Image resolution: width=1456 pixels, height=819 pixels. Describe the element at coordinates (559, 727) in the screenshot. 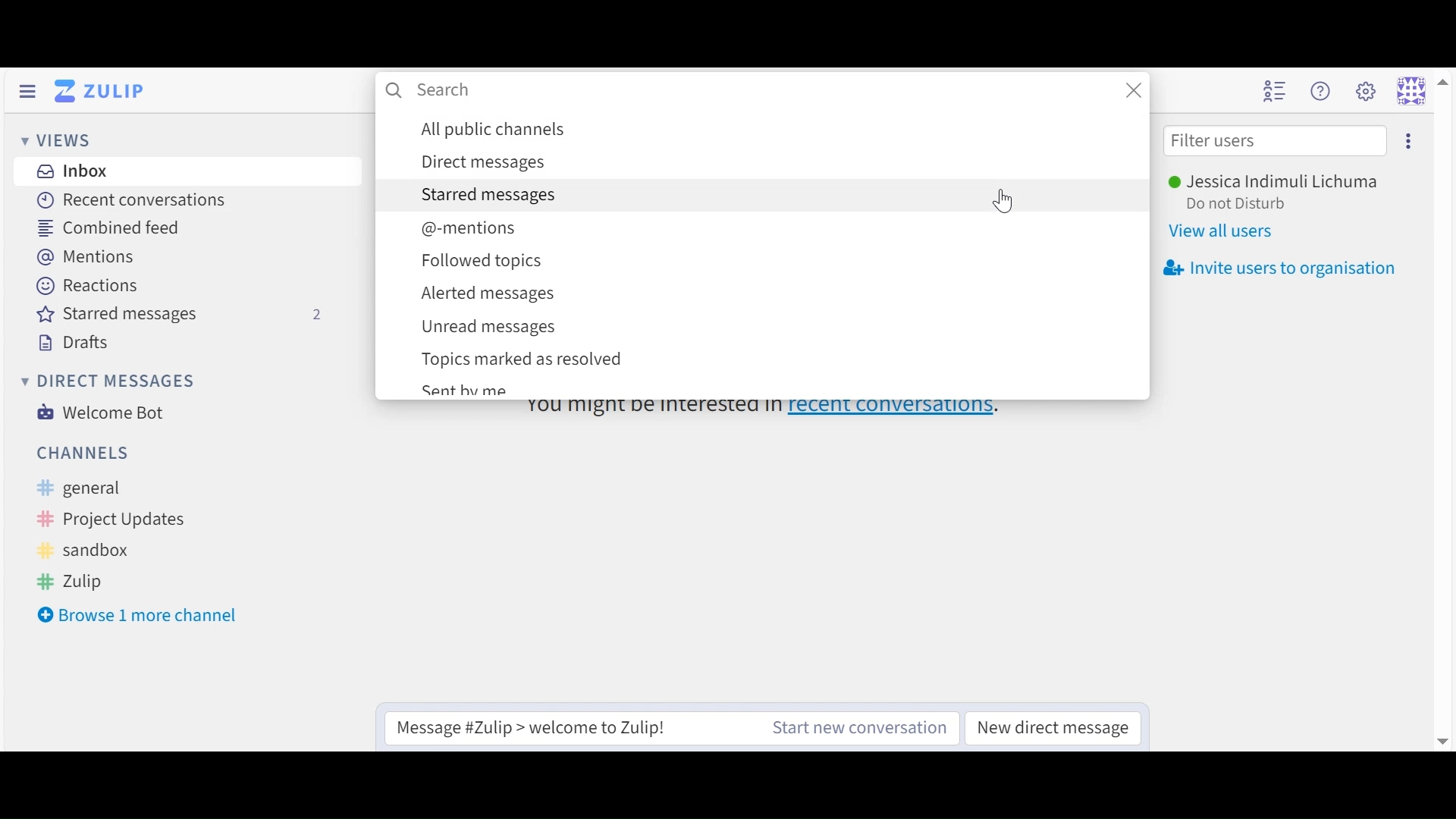

I see `Reply to message` at that location.